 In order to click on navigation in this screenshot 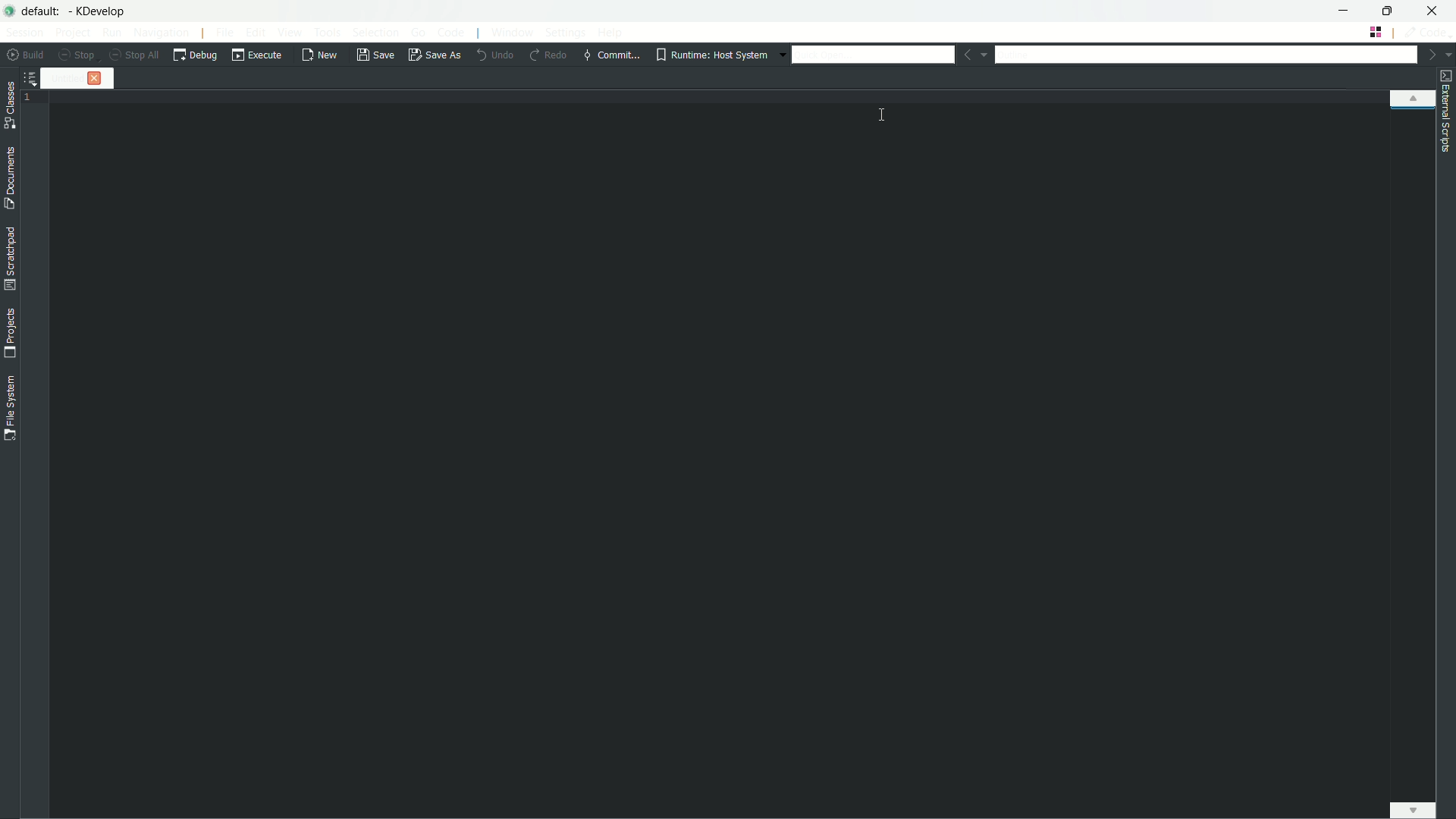, I will do `click(162, 34)`.